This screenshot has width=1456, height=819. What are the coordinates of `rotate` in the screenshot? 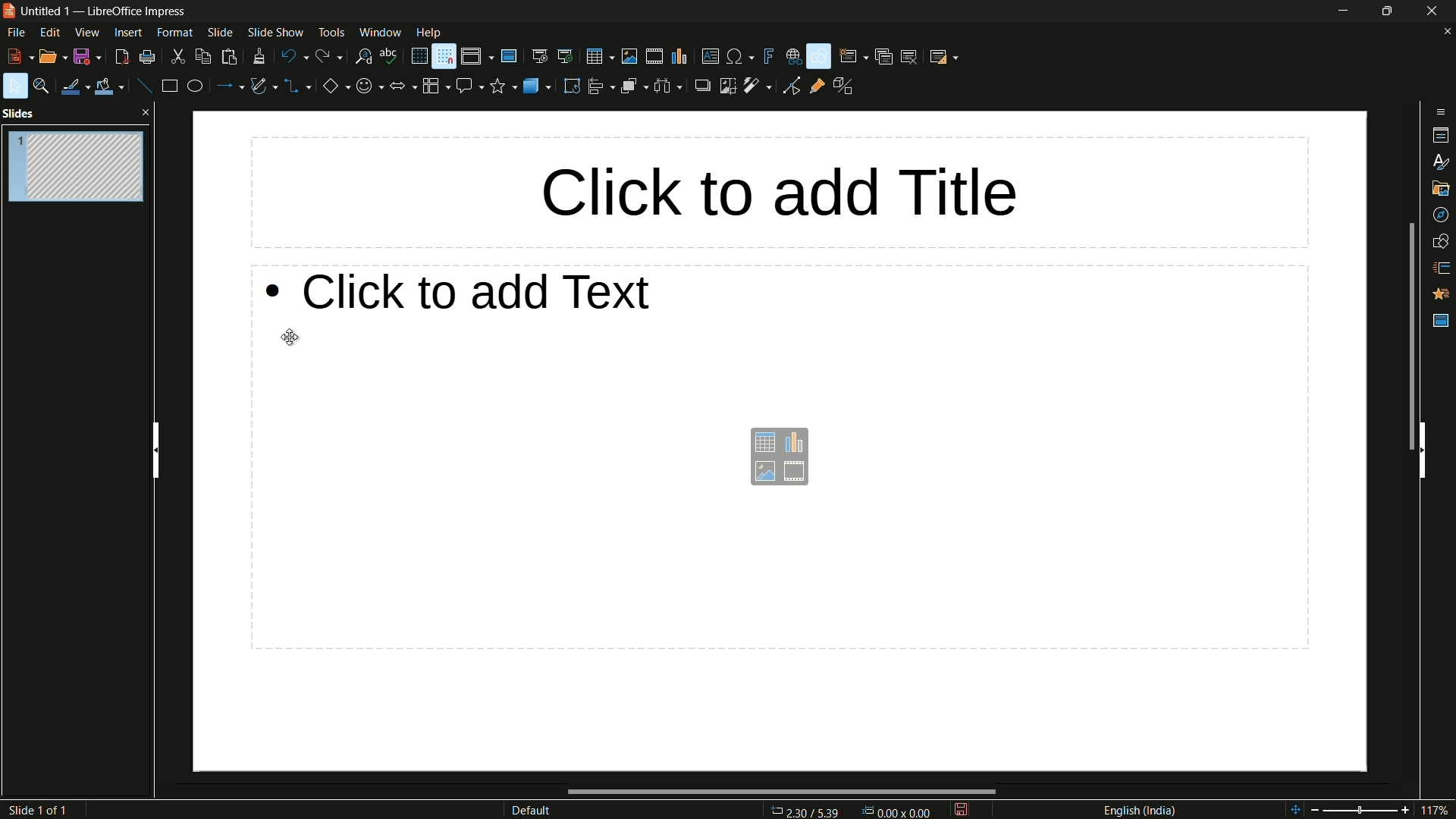 It's located at (572, 86).